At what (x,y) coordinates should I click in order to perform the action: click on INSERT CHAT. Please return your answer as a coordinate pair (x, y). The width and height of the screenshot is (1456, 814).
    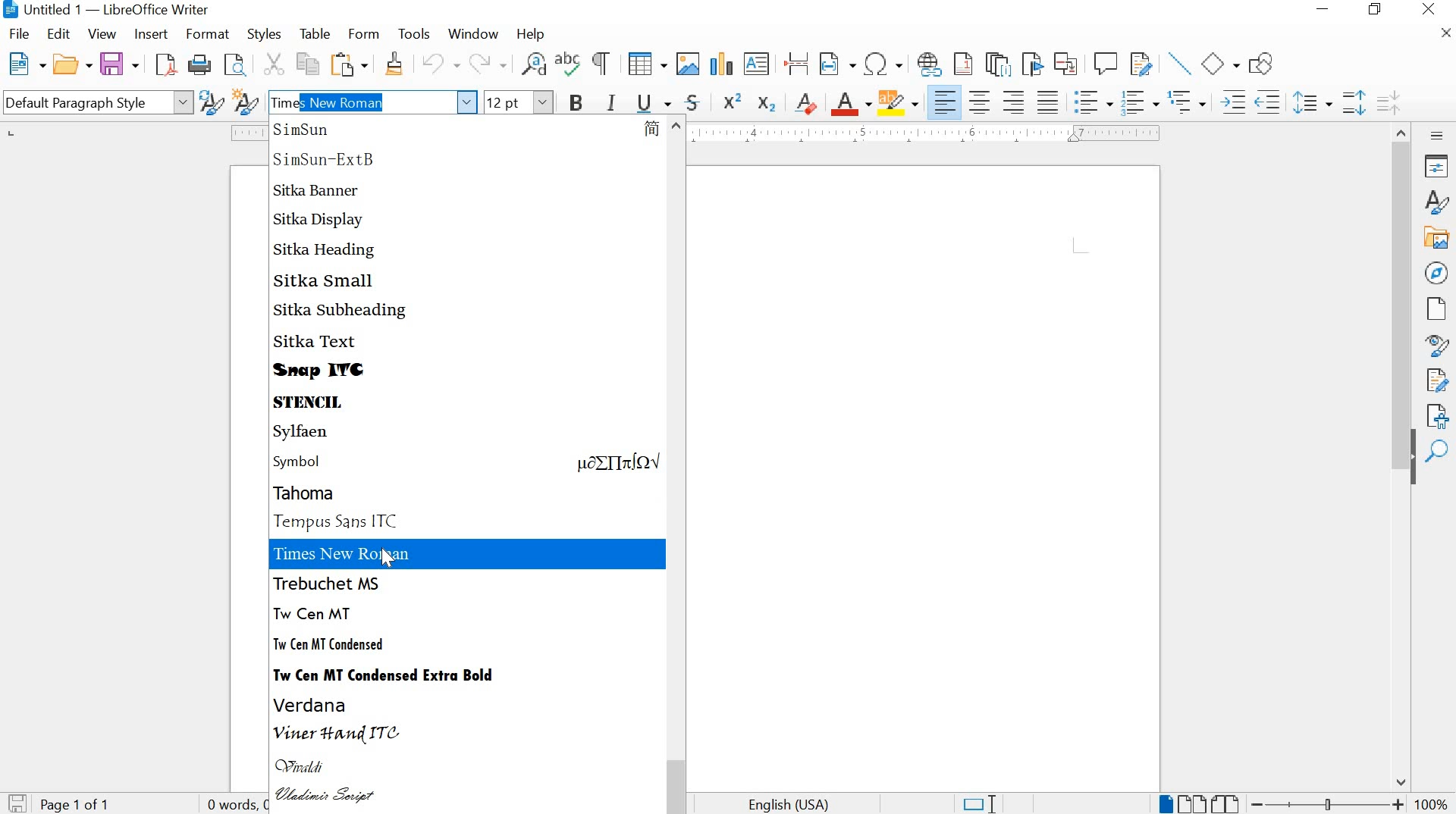
    Looking at the image, I should click on (720, 64).